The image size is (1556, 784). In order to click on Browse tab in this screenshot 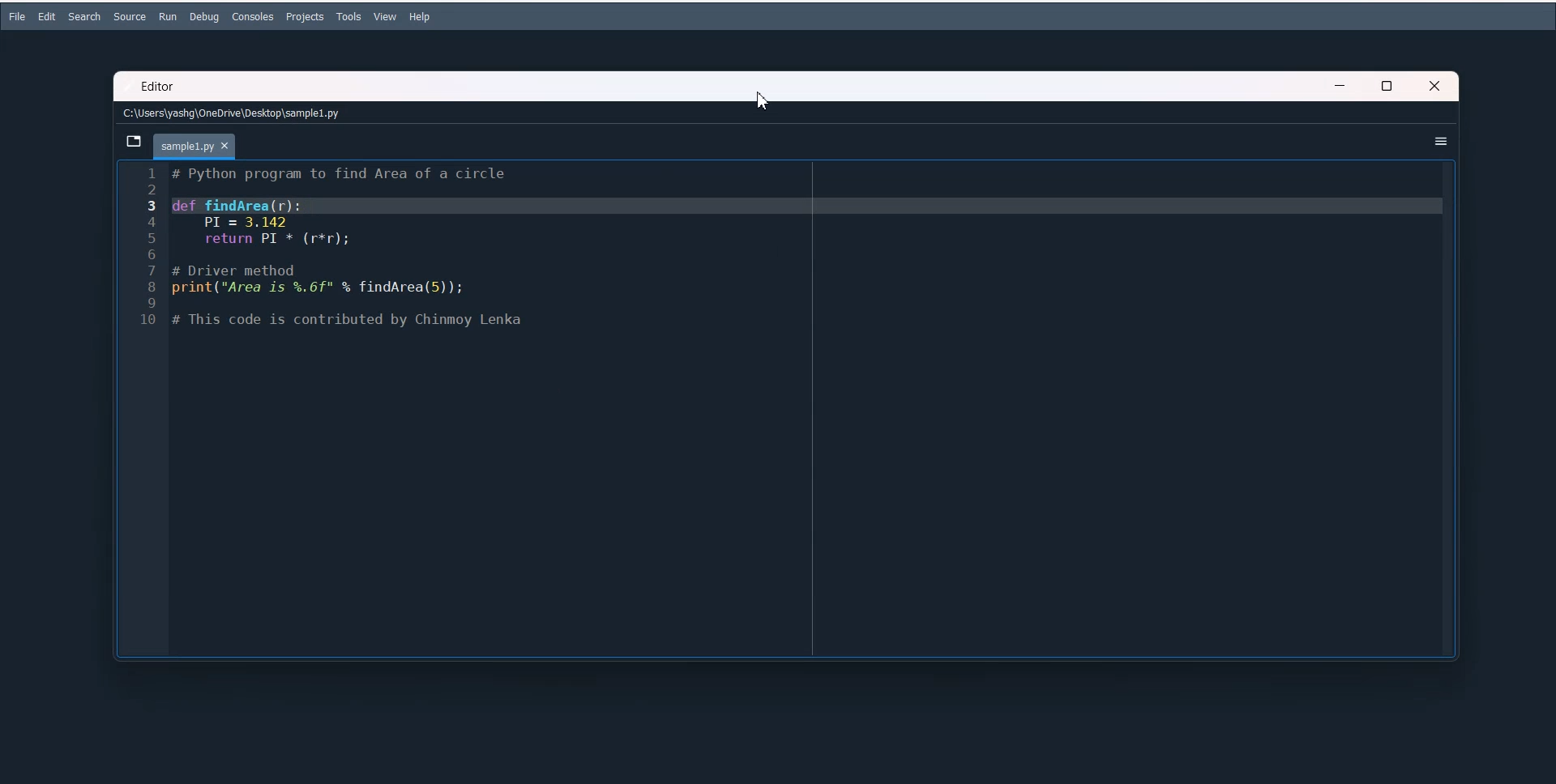, I will do `click(133, 141)`.